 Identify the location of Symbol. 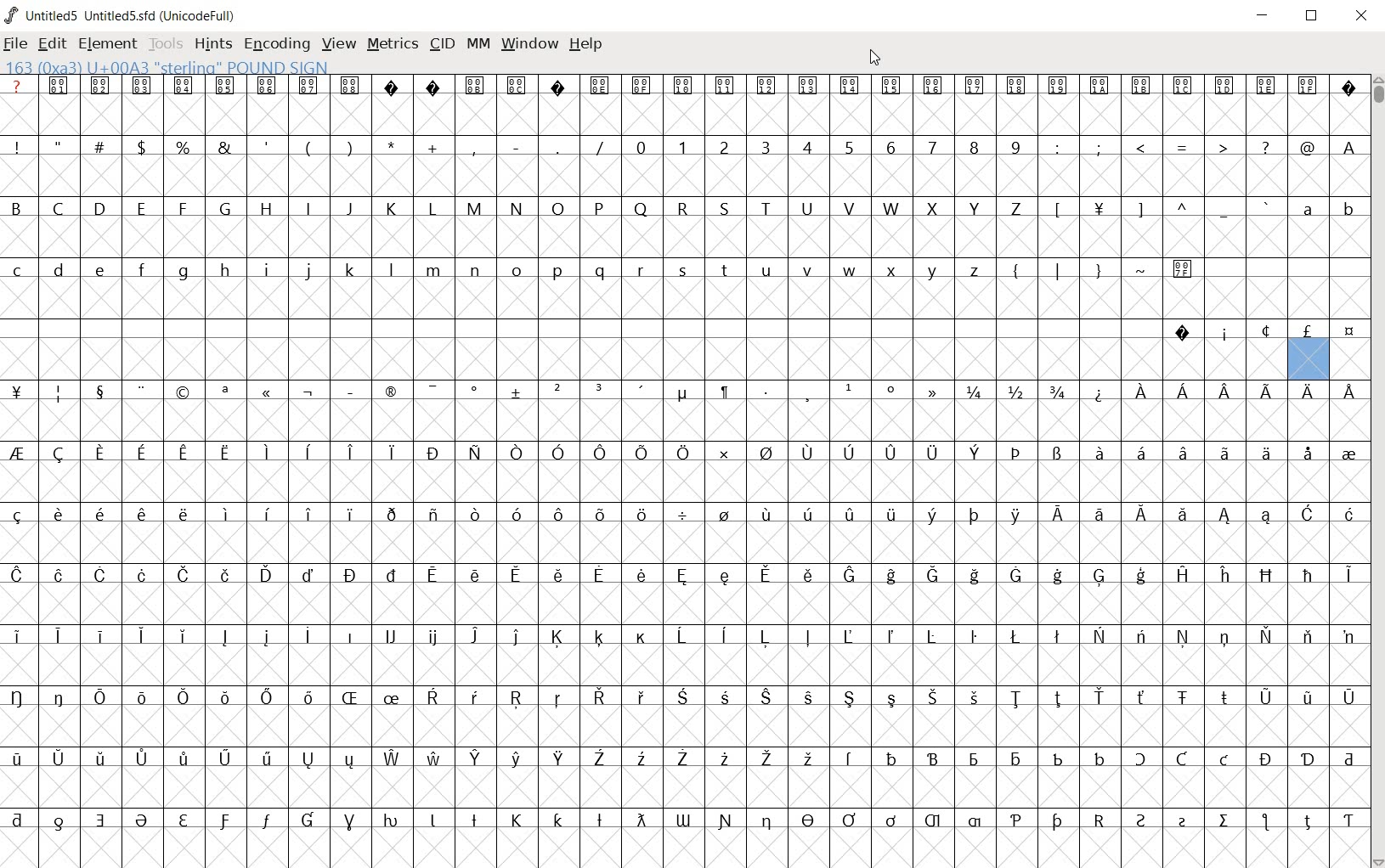
(224, 821).